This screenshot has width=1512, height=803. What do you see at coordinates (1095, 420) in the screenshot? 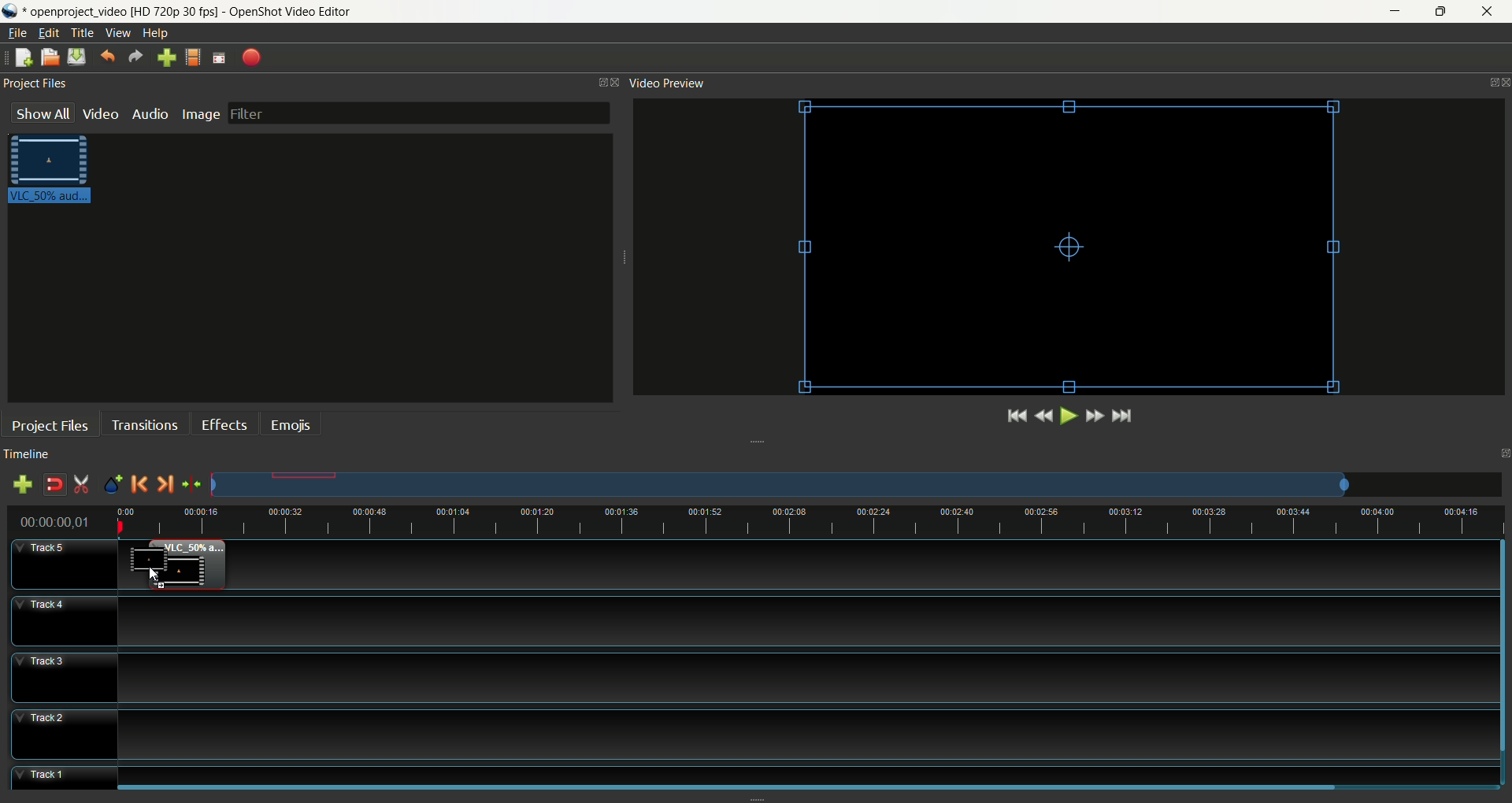
I see `fast forward` at bounding box center [1095, 420].